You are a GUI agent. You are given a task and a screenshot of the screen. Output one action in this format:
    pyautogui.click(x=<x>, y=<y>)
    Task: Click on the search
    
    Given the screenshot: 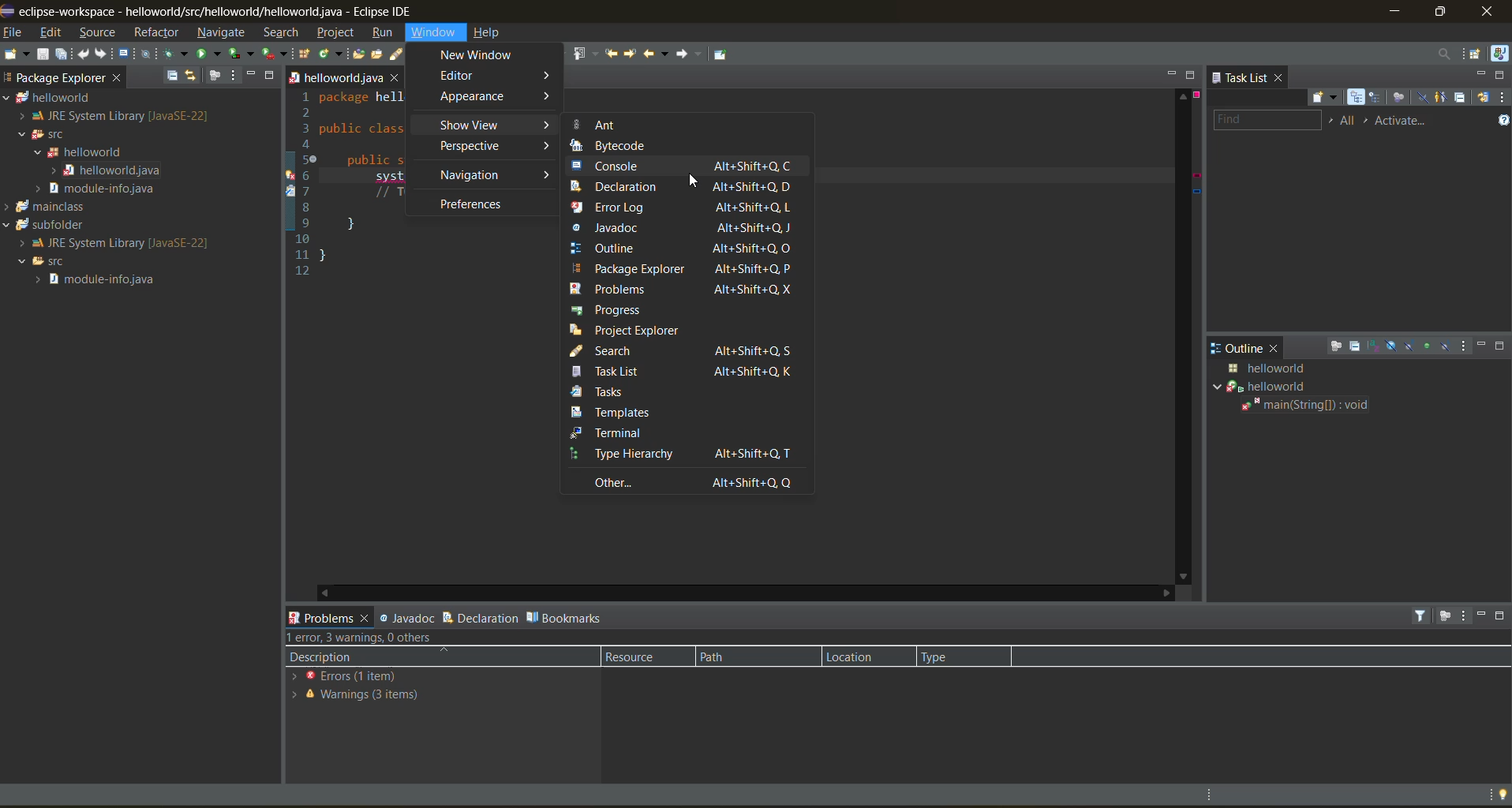 What is the action you would take?
    pyautogui.click(x=405, y=55)
    